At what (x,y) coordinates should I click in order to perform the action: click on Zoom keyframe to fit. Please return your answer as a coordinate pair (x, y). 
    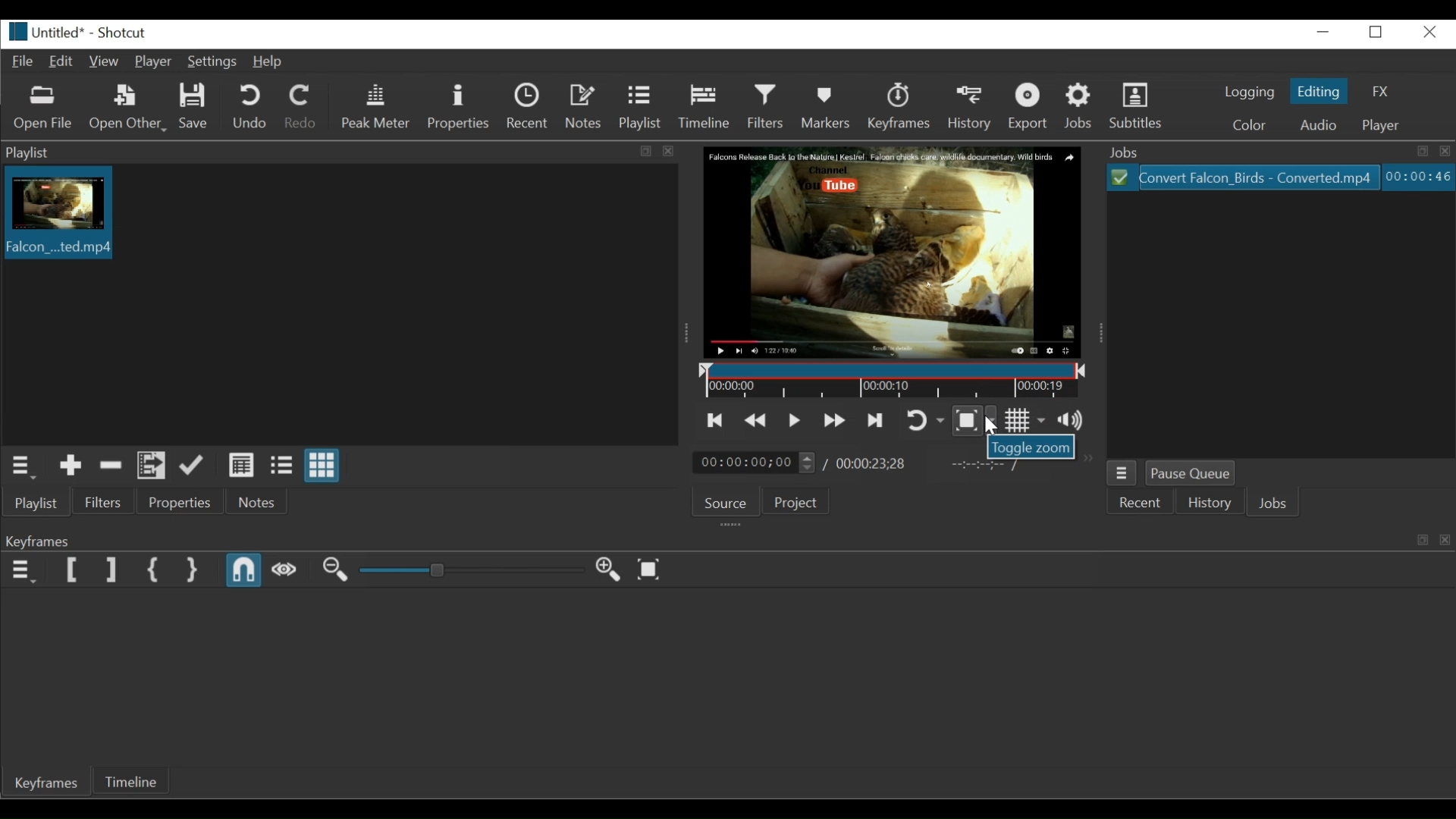
    Looking at the image, I should click on (648, 569).